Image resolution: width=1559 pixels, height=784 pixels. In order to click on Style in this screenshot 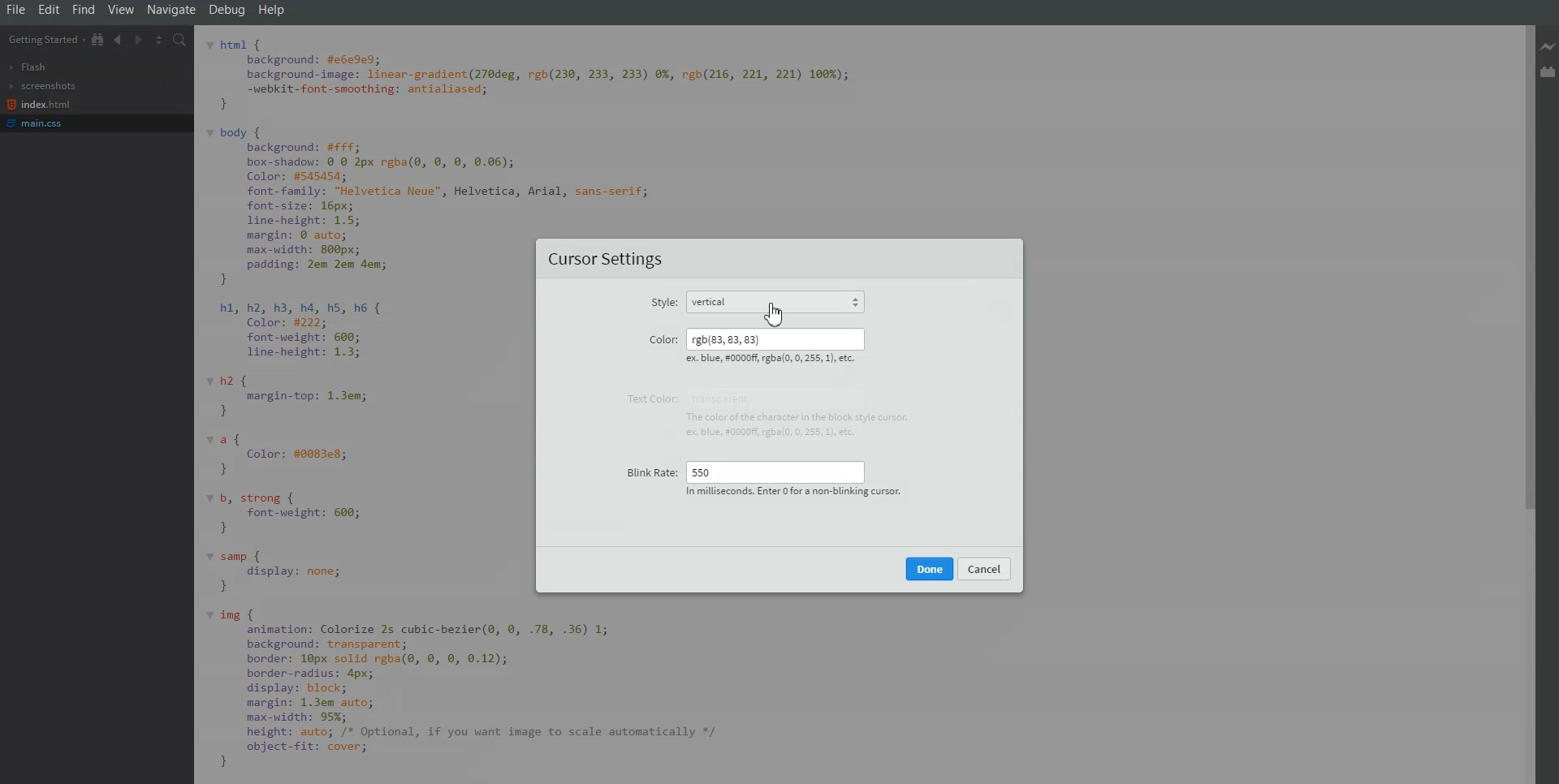, I will do `click(663, 304)`.